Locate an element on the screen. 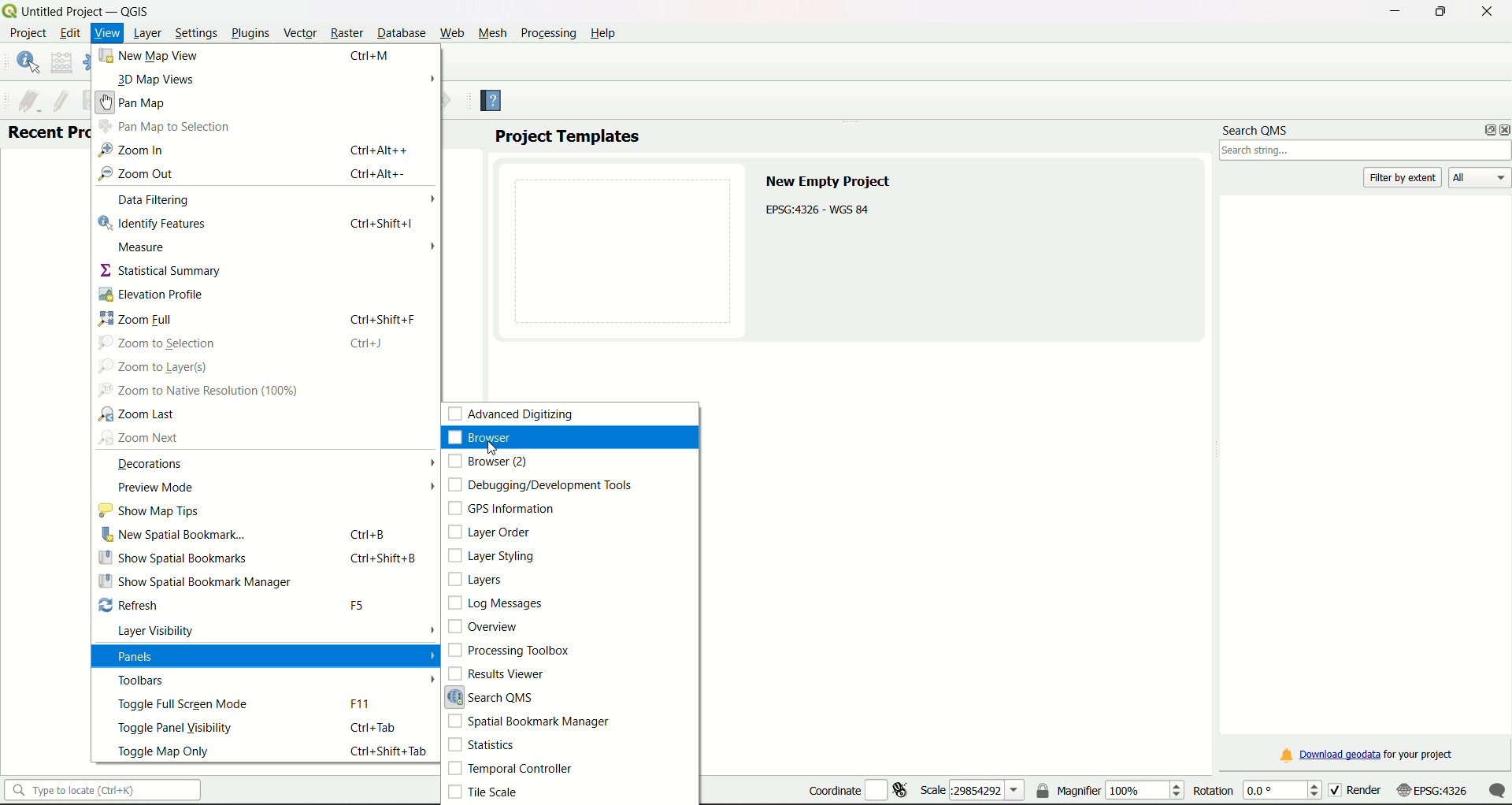 The height and width of the screenshot is (805, 1512). Help is located at coordinates (498, 103).